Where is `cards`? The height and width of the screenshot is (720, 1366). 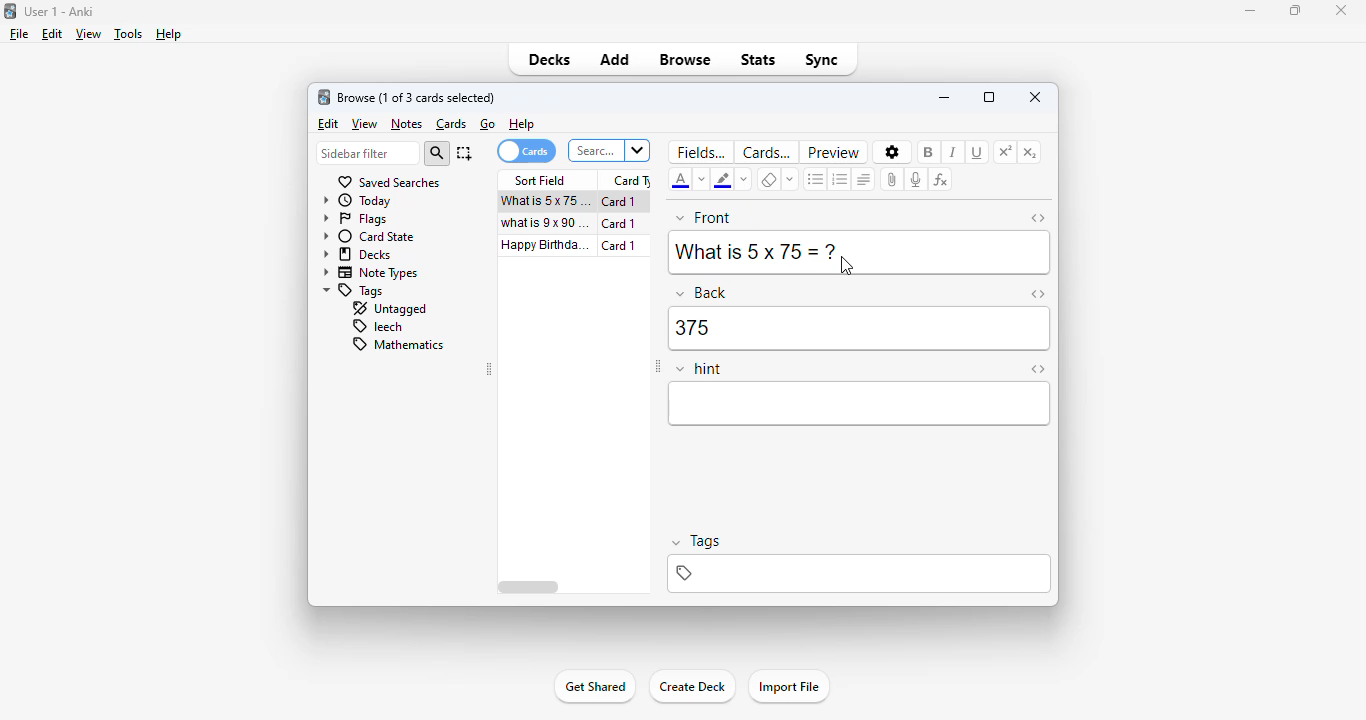
cards is located at coordinates (451, 125).